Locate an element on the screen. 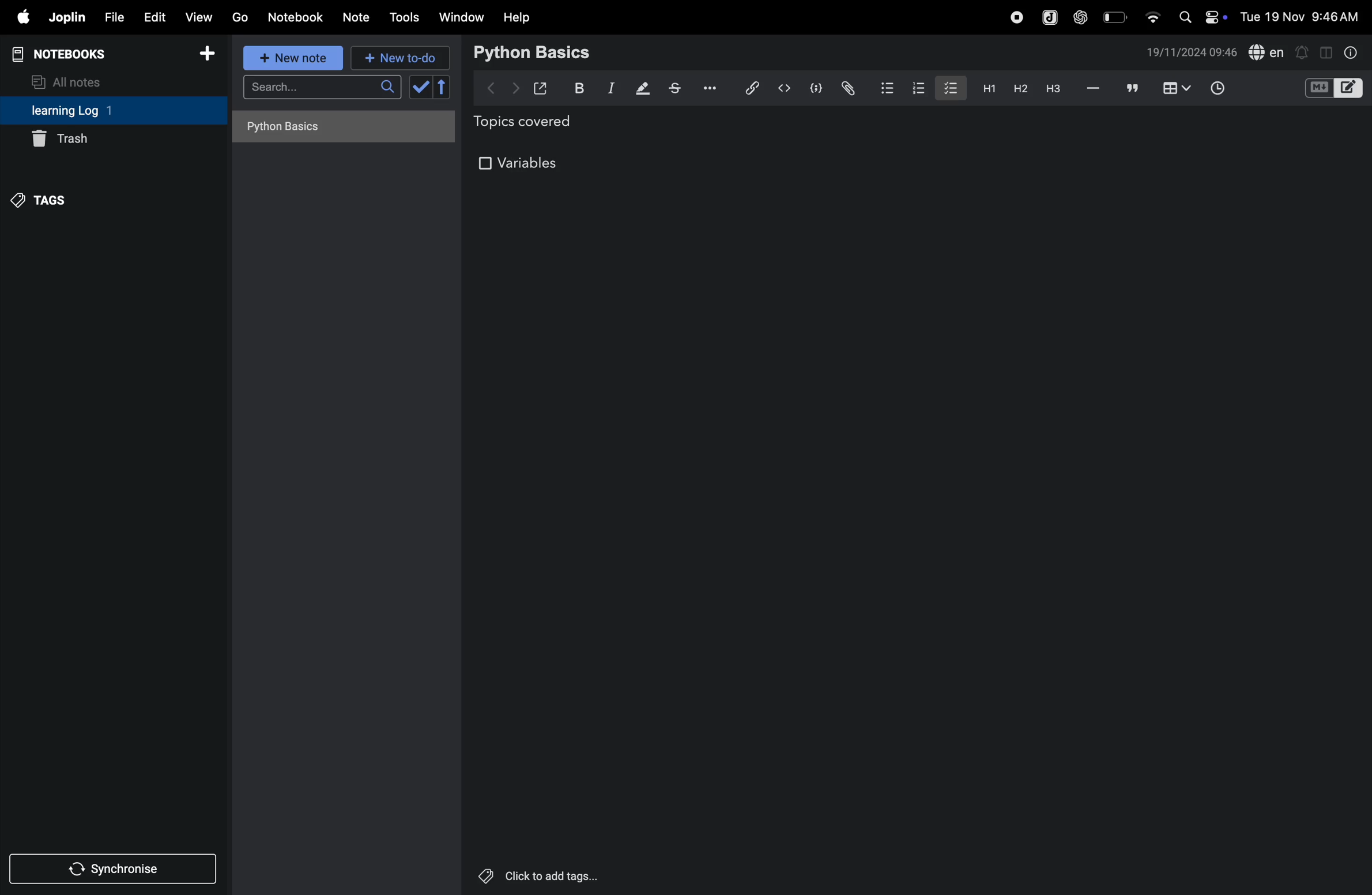  info is located at coordinates (1349, 52).